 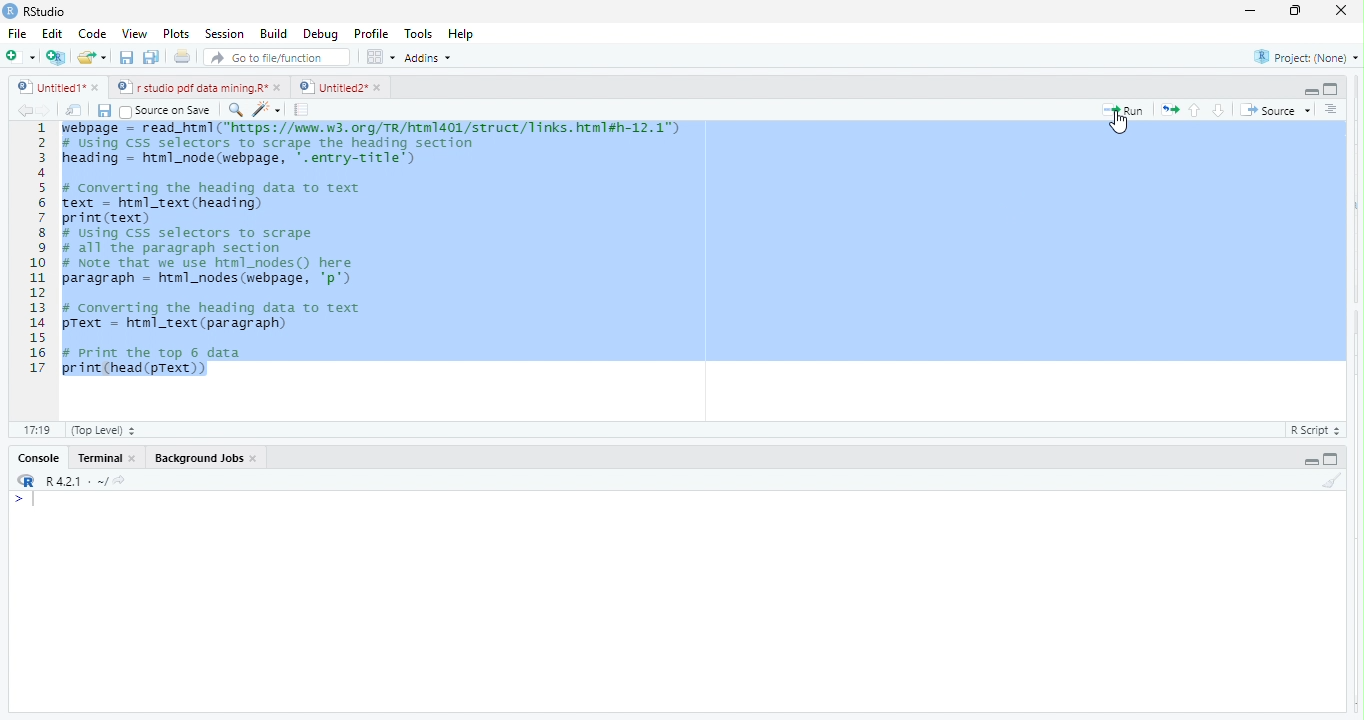 What do you see at coordinates (47, 87) in the screenshot?
I see ` Untitied1"` at bounding box center [47, 87].